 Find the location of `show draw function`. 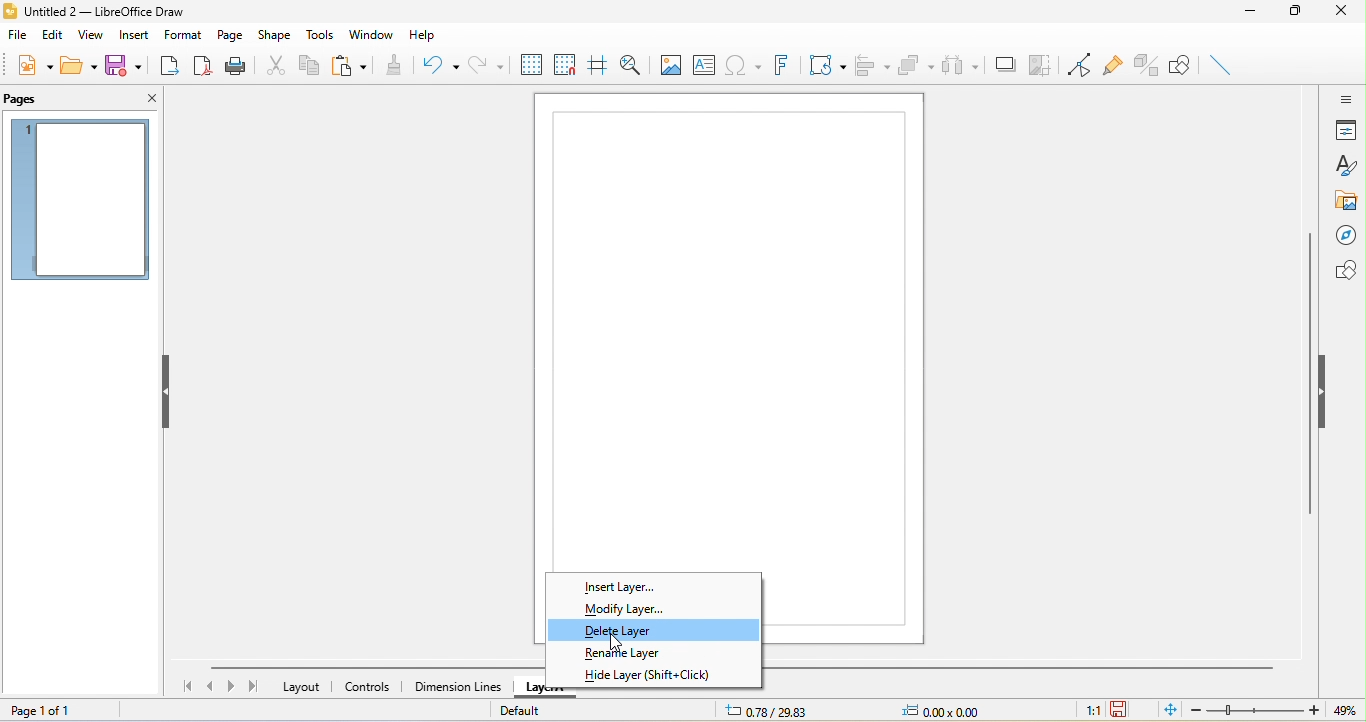

show draw function is located at coordinates (1184, 66).